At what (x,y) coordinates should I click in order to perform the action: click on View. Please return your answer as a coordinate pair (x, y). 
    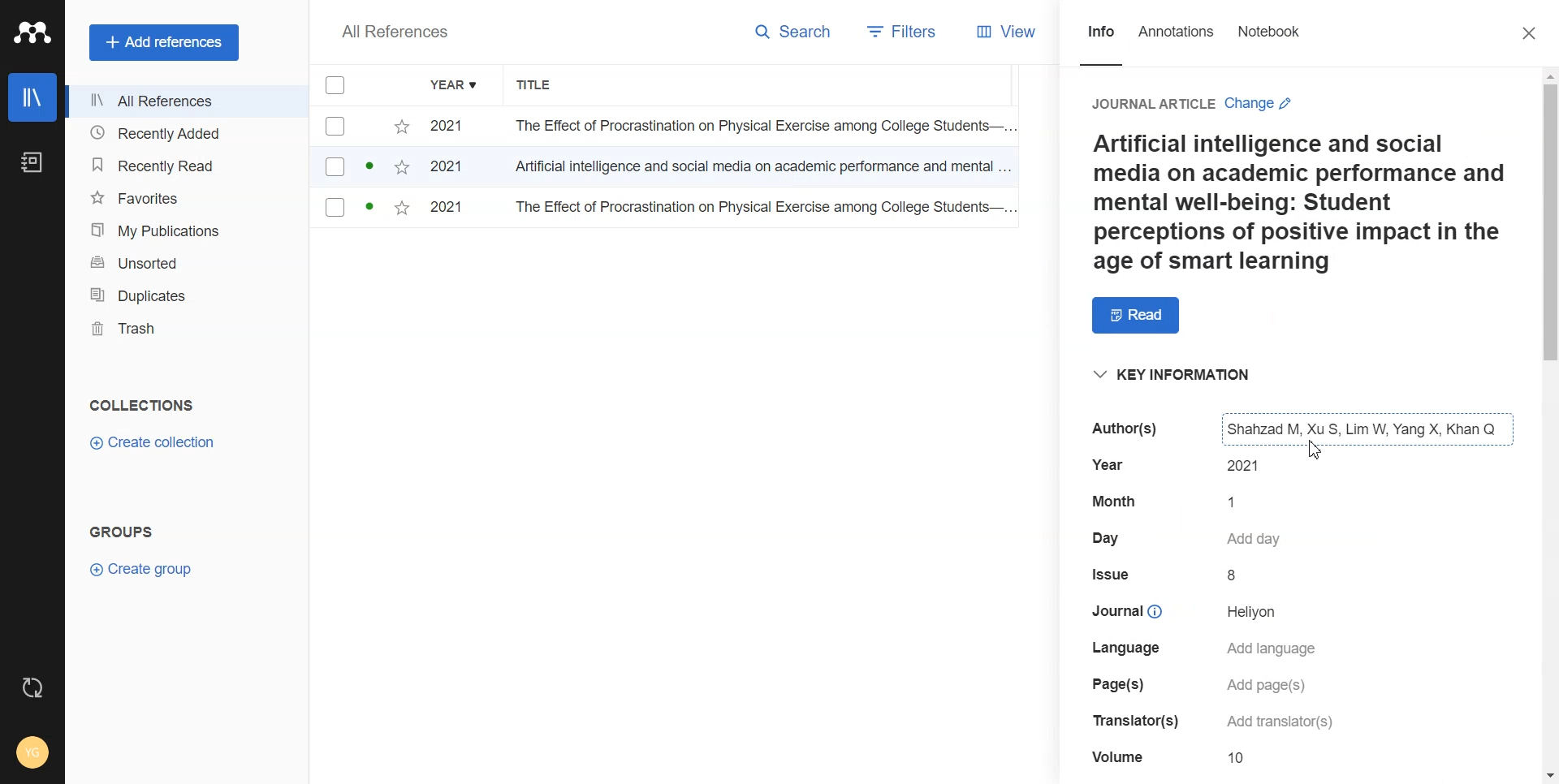
    Looking at the image, I should click on (1014, 32).